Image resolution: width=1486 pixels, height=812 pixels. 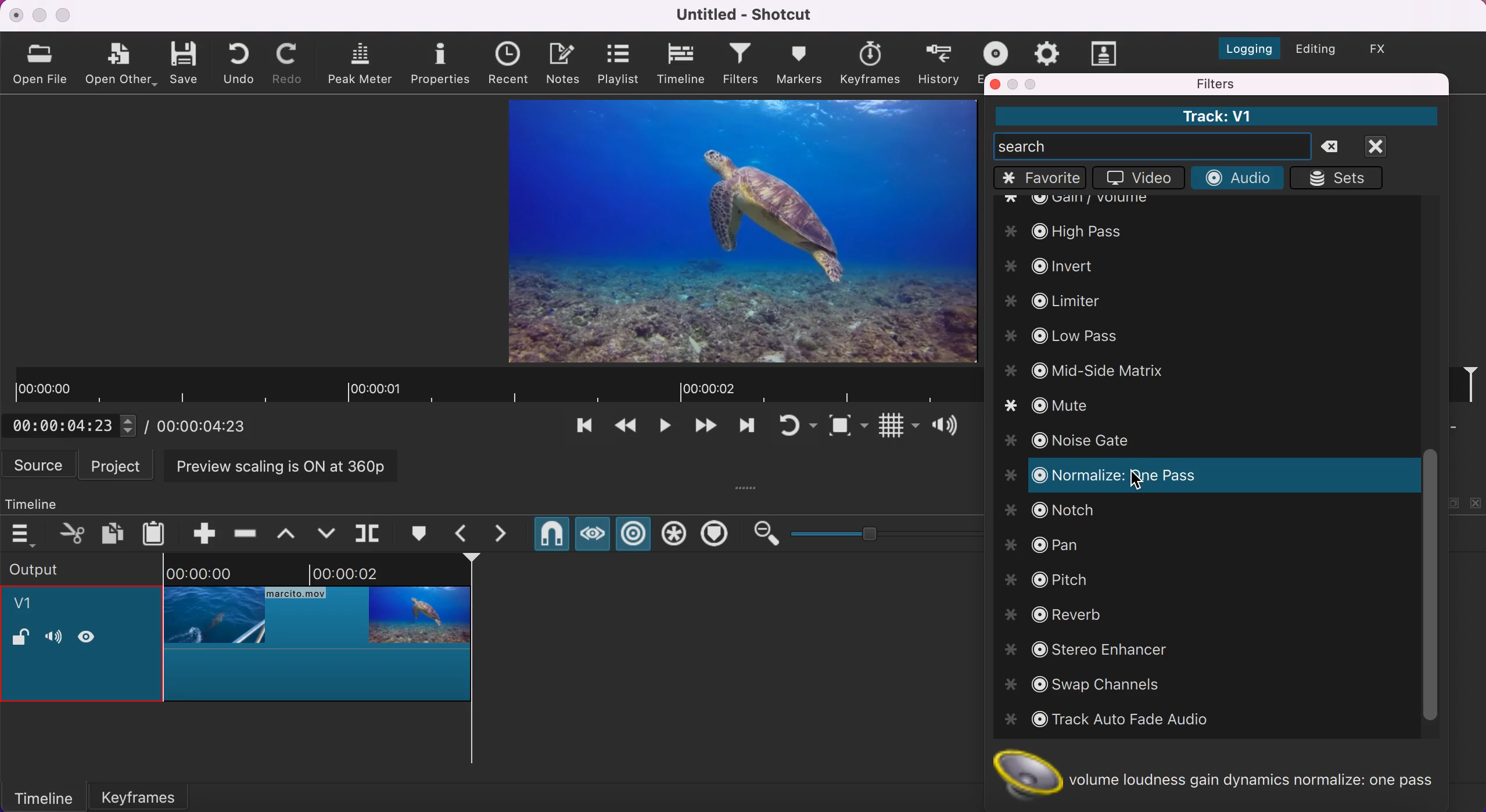 I want to click on save, so click(x=186, y=62).